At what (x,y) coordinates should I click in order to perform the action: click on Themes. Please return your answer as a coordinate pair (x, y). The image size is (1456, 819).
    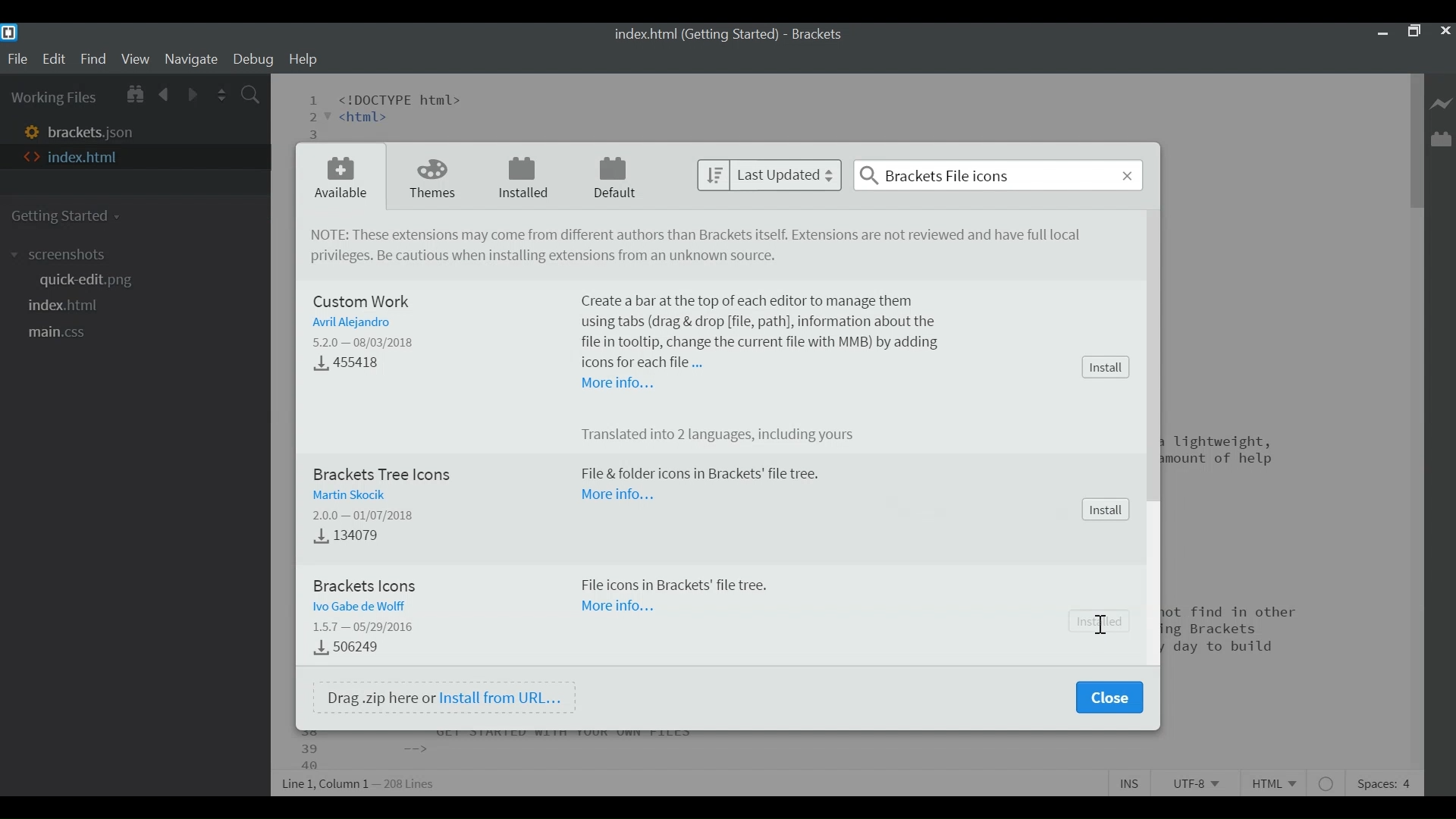
    Looking at the image, I should click on (433, 177).